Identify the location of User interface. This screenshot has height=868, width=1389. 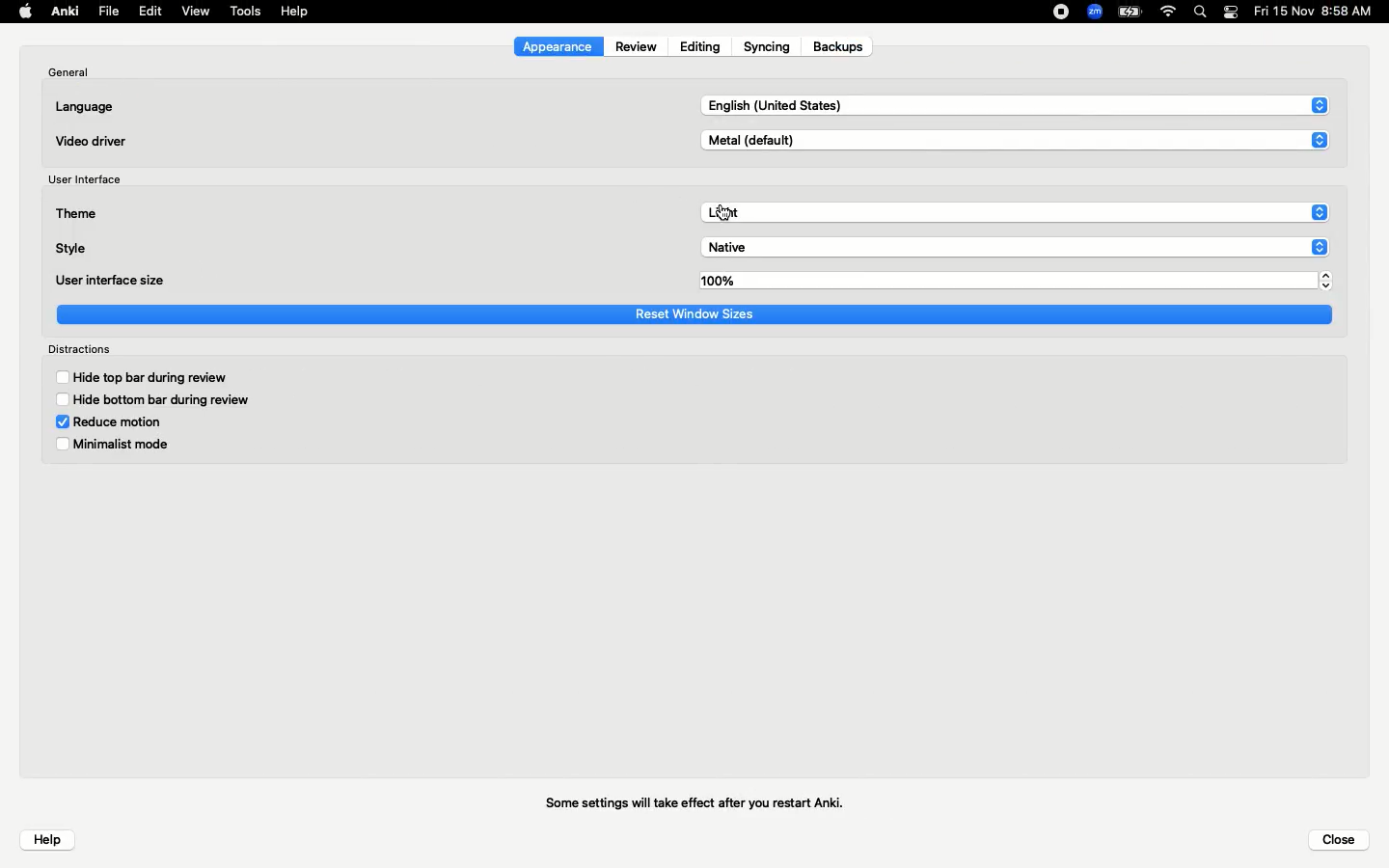
(90, 183).